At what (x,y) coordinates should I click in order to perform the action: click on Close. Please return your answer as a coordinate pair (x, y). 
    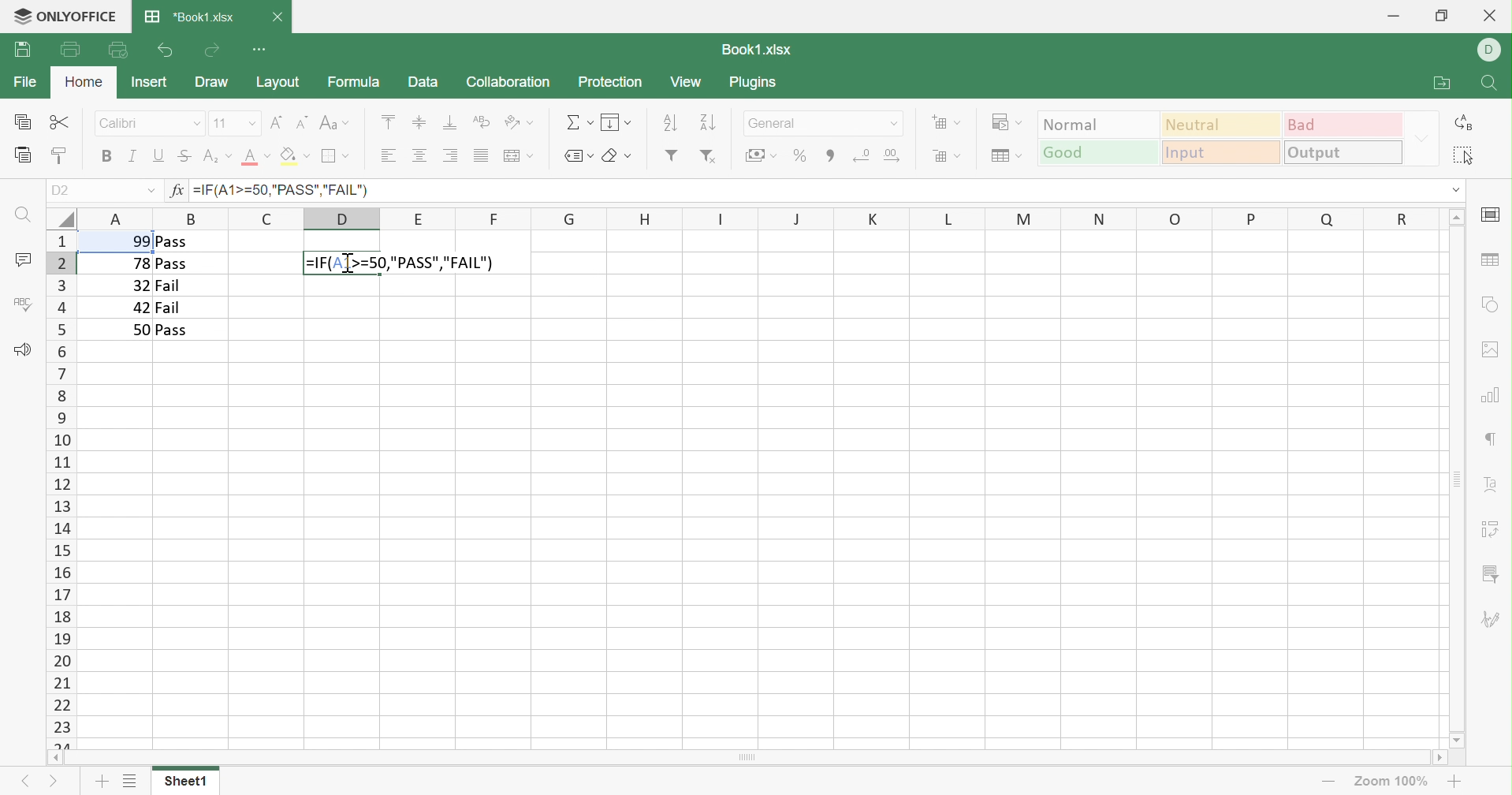
    Looking at the image, I should click on (1493, 14).